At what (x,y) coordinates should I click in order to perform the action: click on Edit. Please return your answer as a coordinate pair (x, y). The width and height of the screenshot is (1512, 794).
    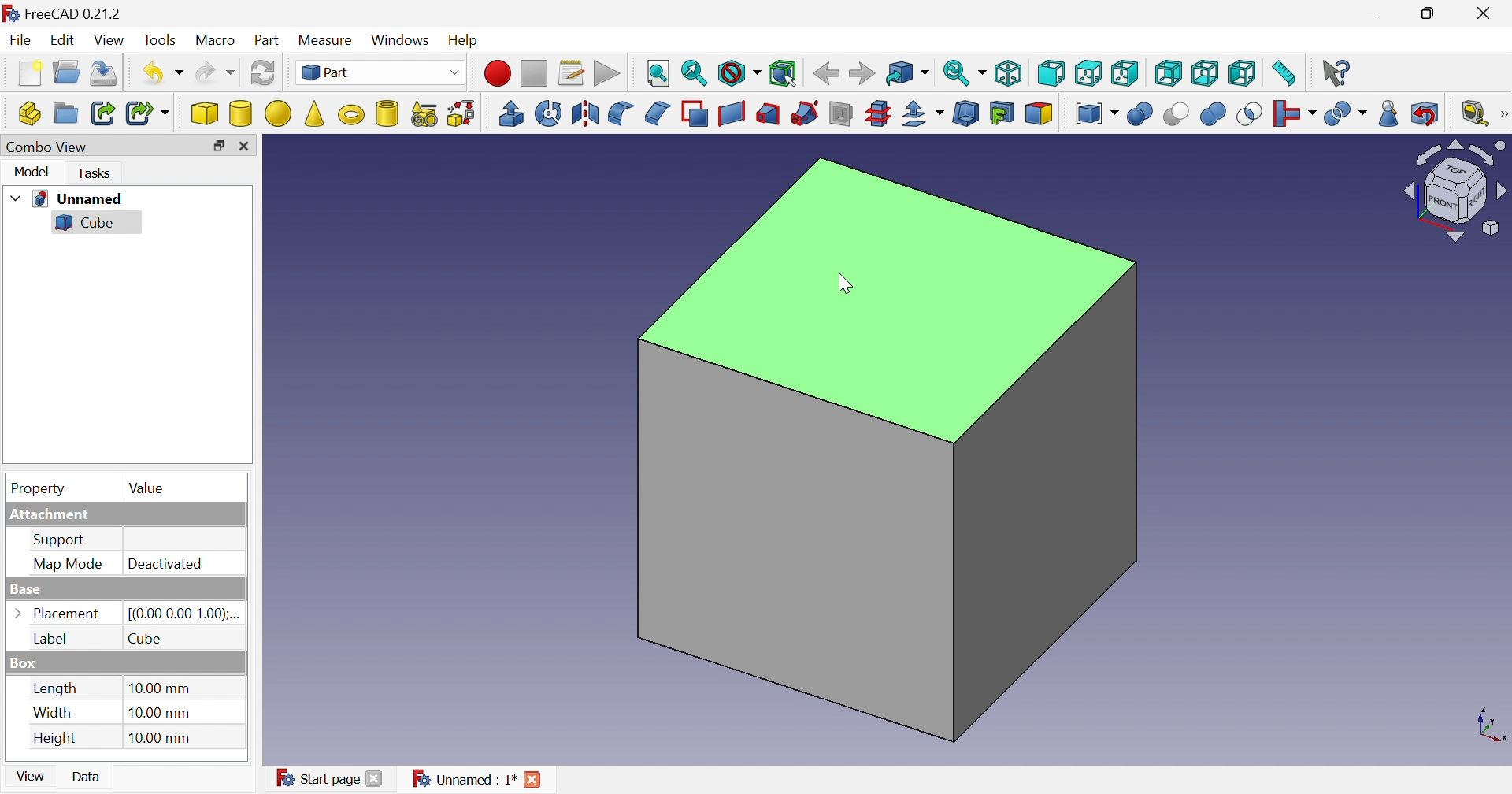
    Looking at the image, I should click on (62, 38).